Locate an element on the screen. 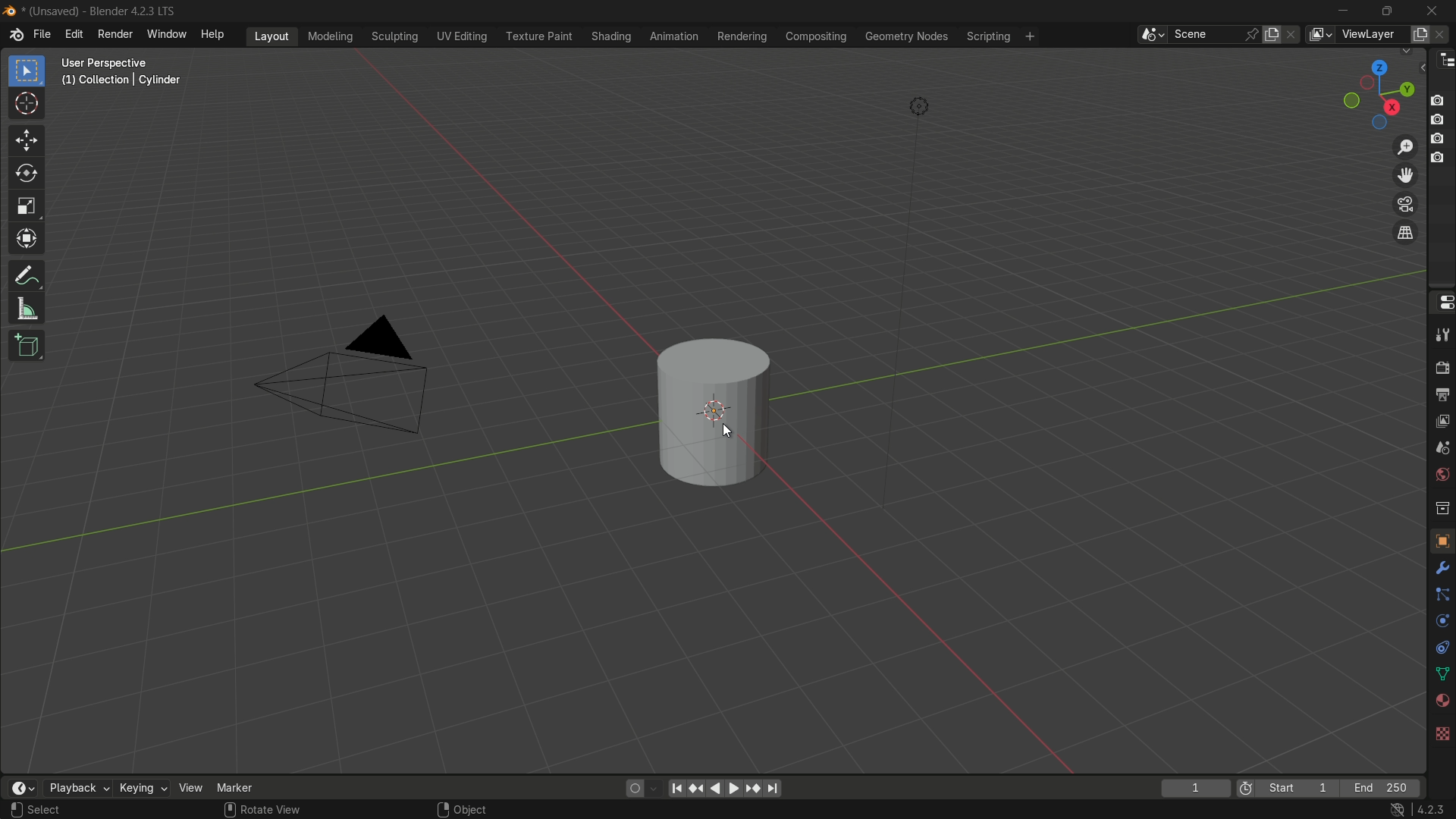  compositing is located at coordinates (816, 38).